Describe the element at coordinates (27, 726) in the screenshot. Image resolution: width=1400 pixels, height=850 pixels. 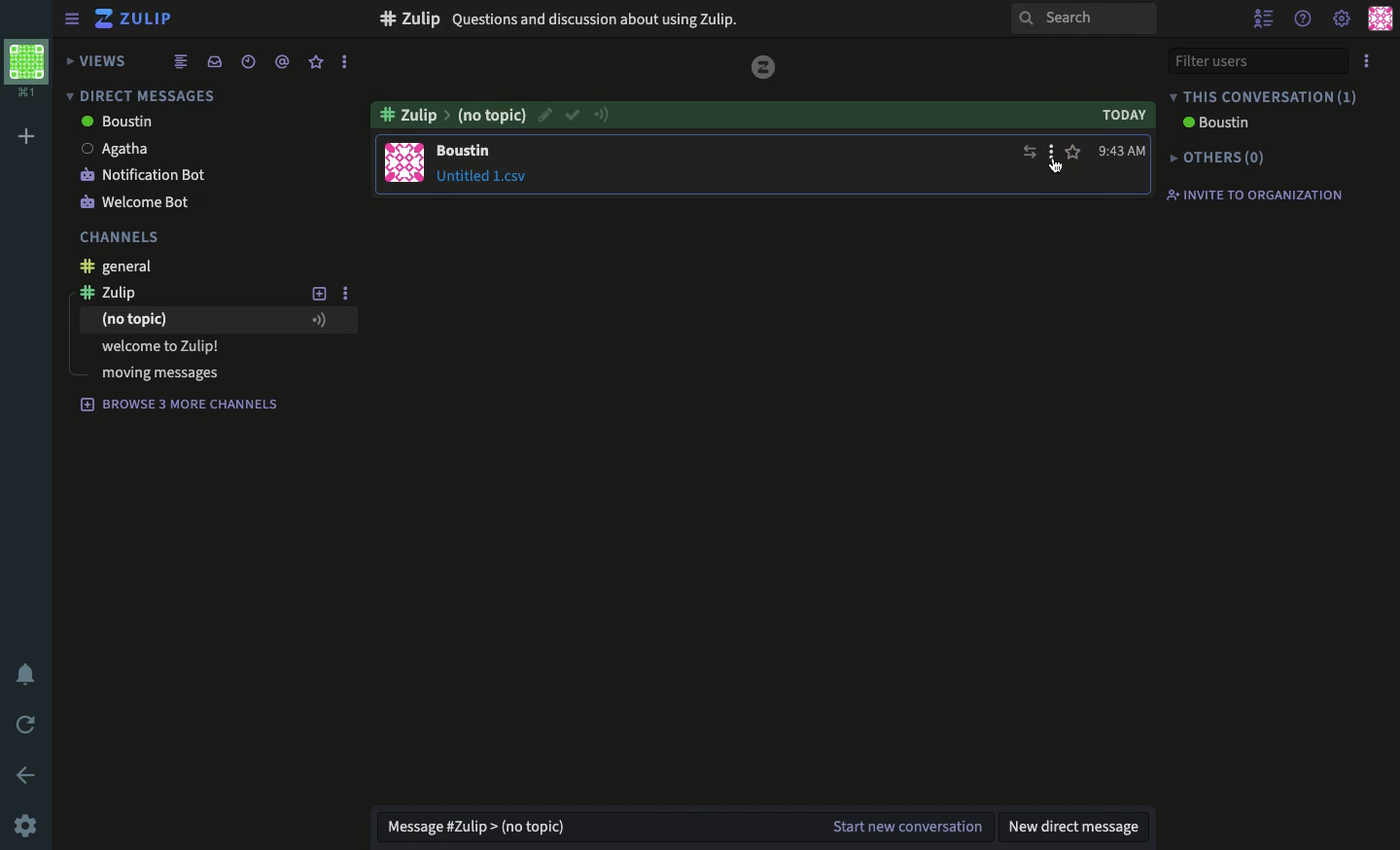
I see `refresh` at that location.